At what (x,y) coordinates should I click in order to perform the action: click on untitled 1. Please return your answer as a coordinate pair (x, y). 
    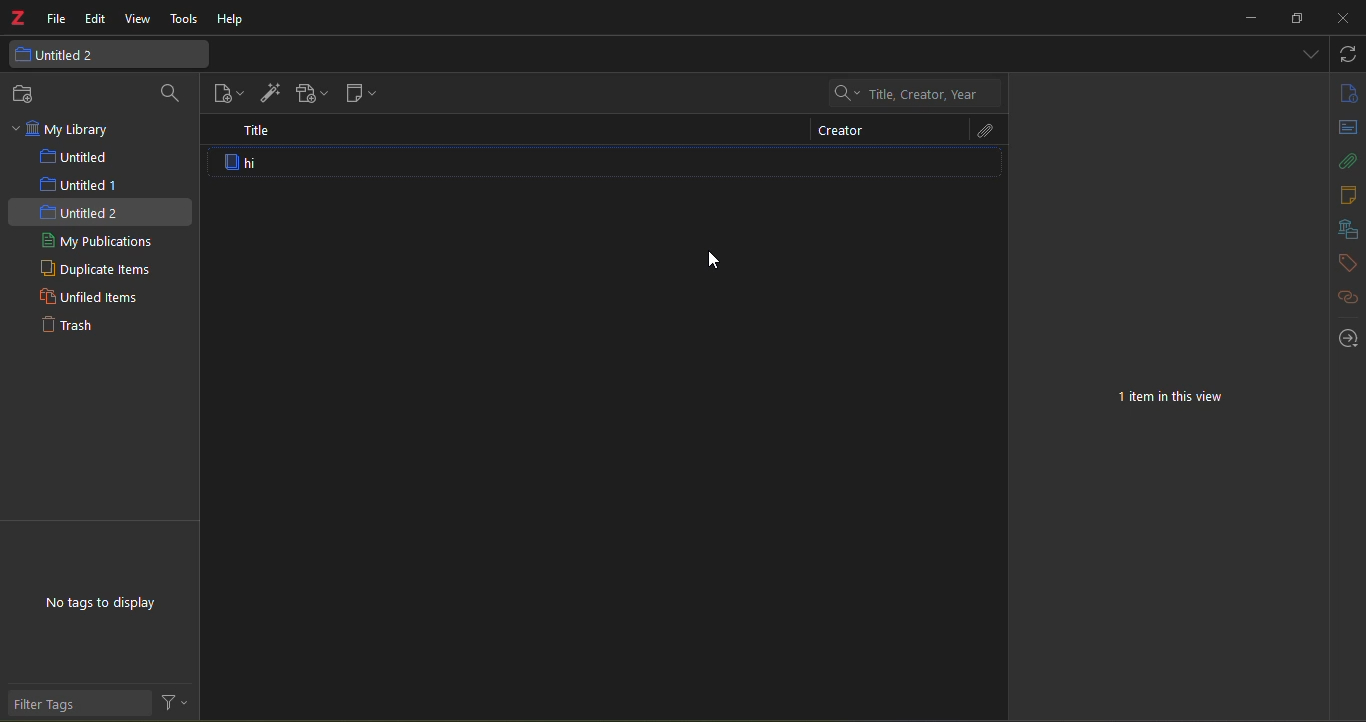
    Looking at the image, I should click on (80, 185).